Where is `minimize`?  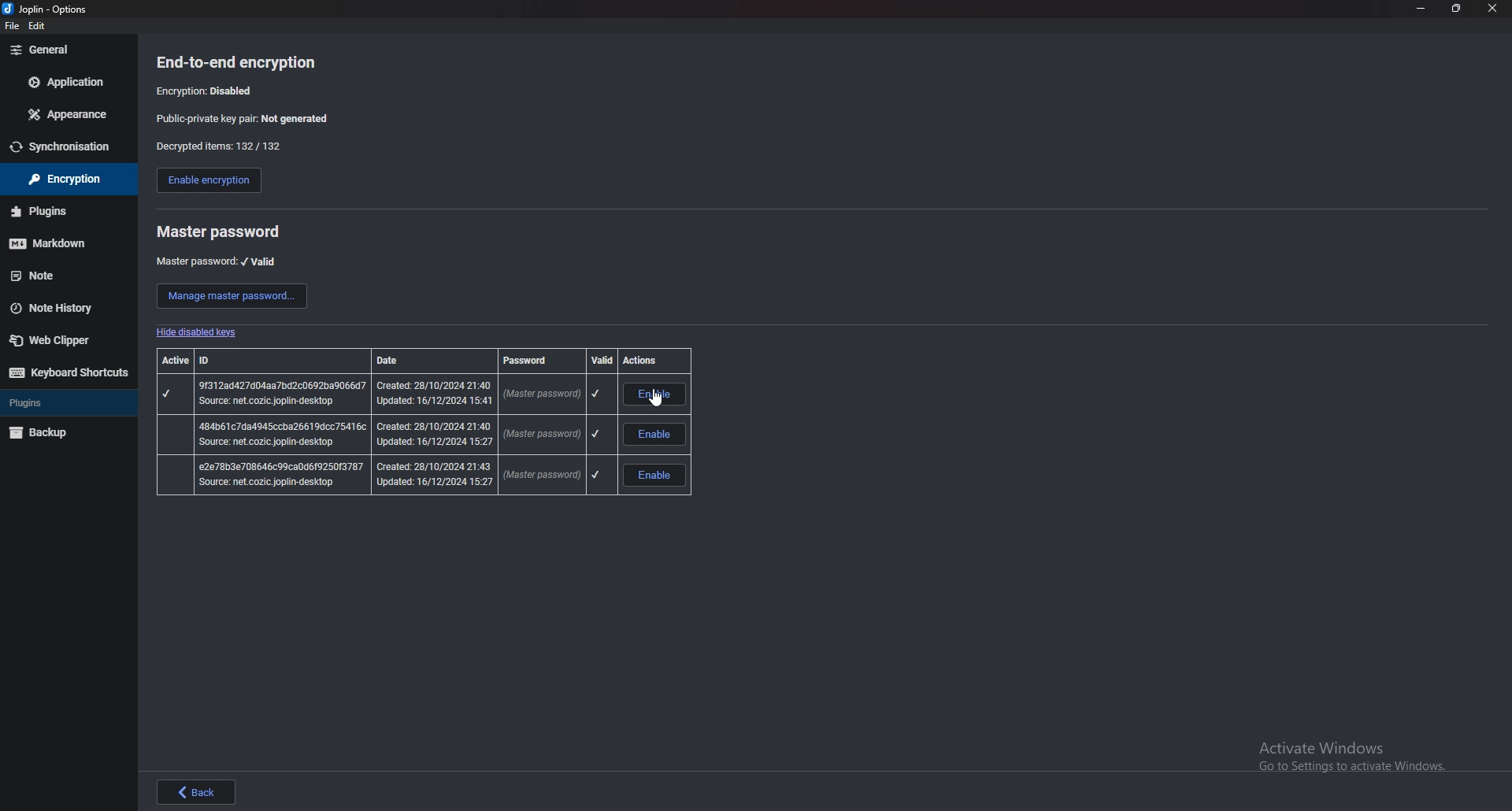 minimize is located at coordinates (1422, 9).